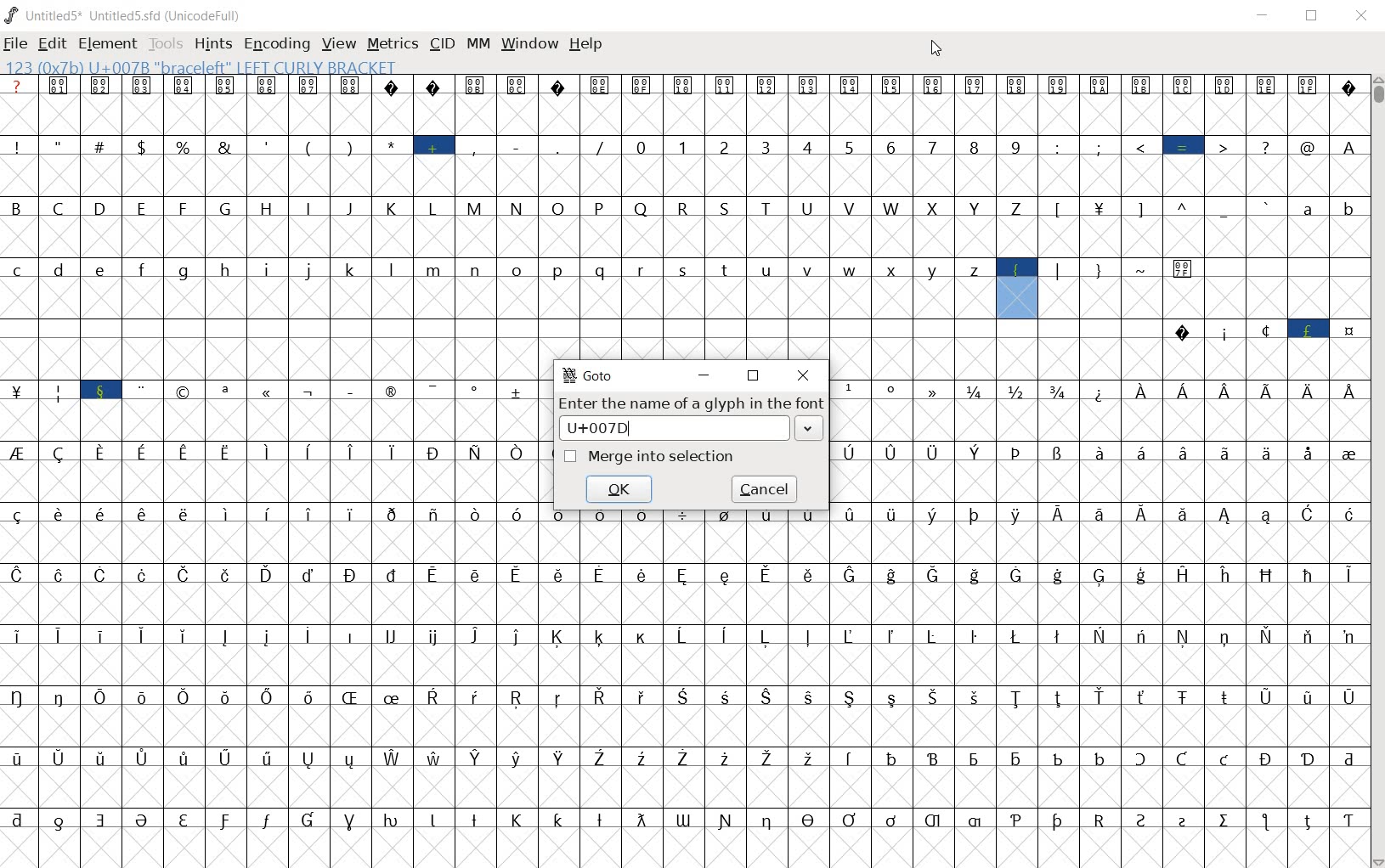 This screenshot has height=868, width=1385. What do you see at coordinates (955, 197) in the screenshot?
I see `glyph characters` at bounding box center [955, 197].